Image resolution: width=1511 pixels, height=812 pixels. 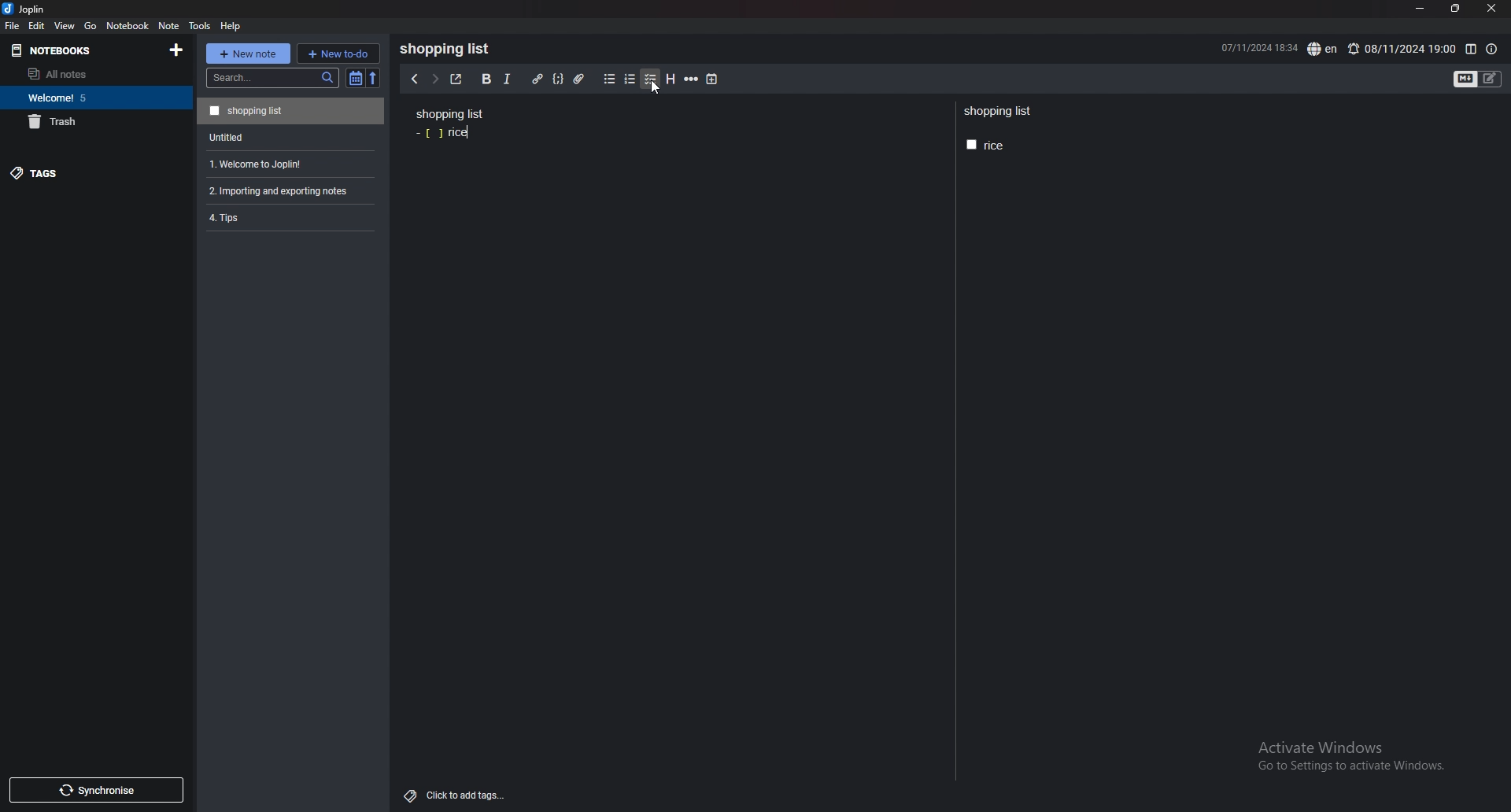 What do you see at coordinates (444, 134) in the screenshot?
I see `rice` at bounding box center [444, 134].